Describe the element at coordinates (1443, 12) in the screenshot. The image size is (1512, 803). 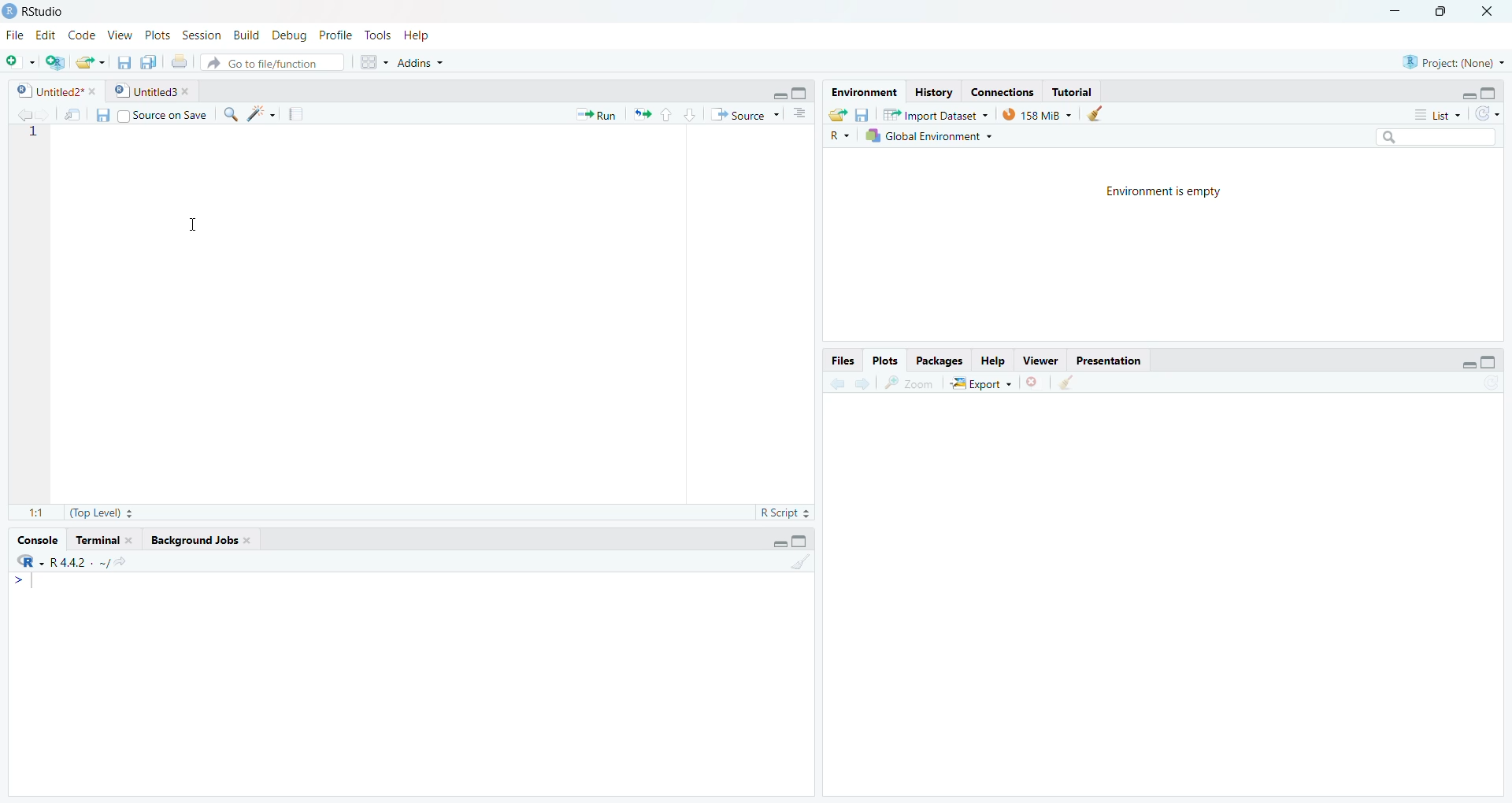
I see `maximize` at that location.